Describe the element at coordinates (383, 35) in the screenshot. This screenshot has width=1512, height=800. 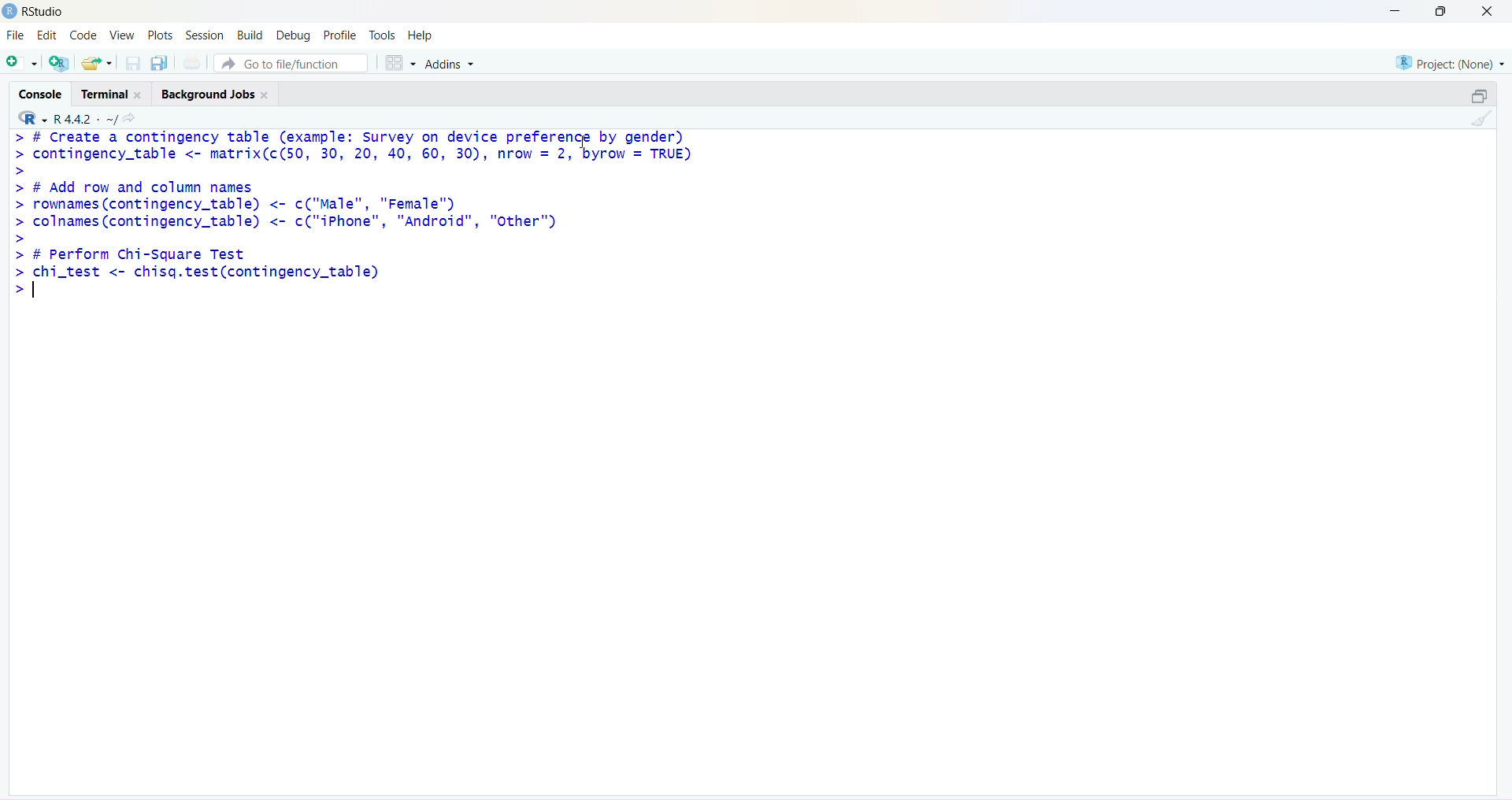
I see `Tools` at that location.